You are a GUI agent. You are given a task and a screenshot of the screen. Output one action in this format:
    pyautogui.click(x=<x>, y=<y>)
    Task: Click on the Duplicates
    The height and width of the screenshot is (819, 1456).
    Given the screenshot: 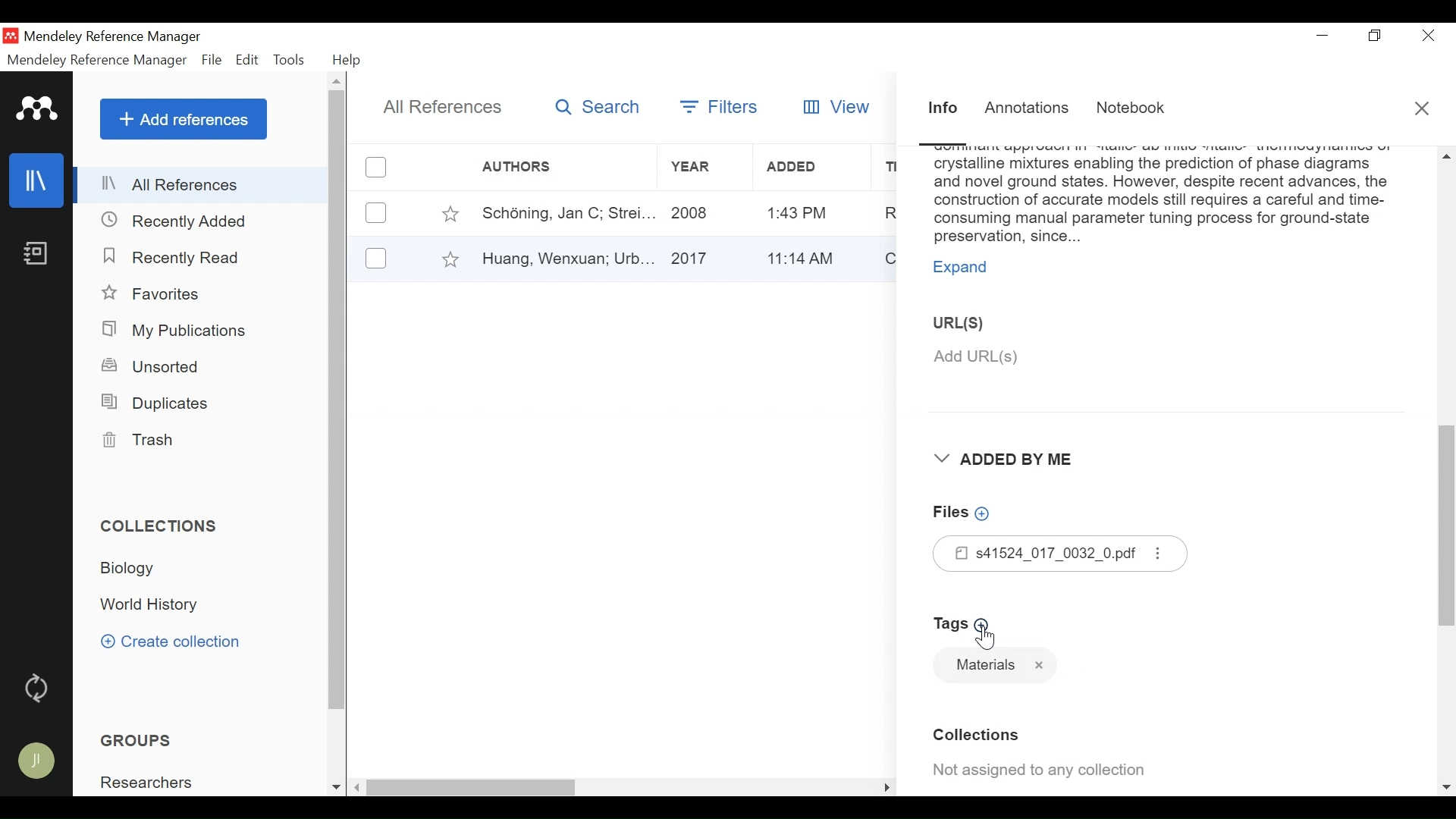 What is the action you would take?
    pyautogui.click(x=153, y=403)
    